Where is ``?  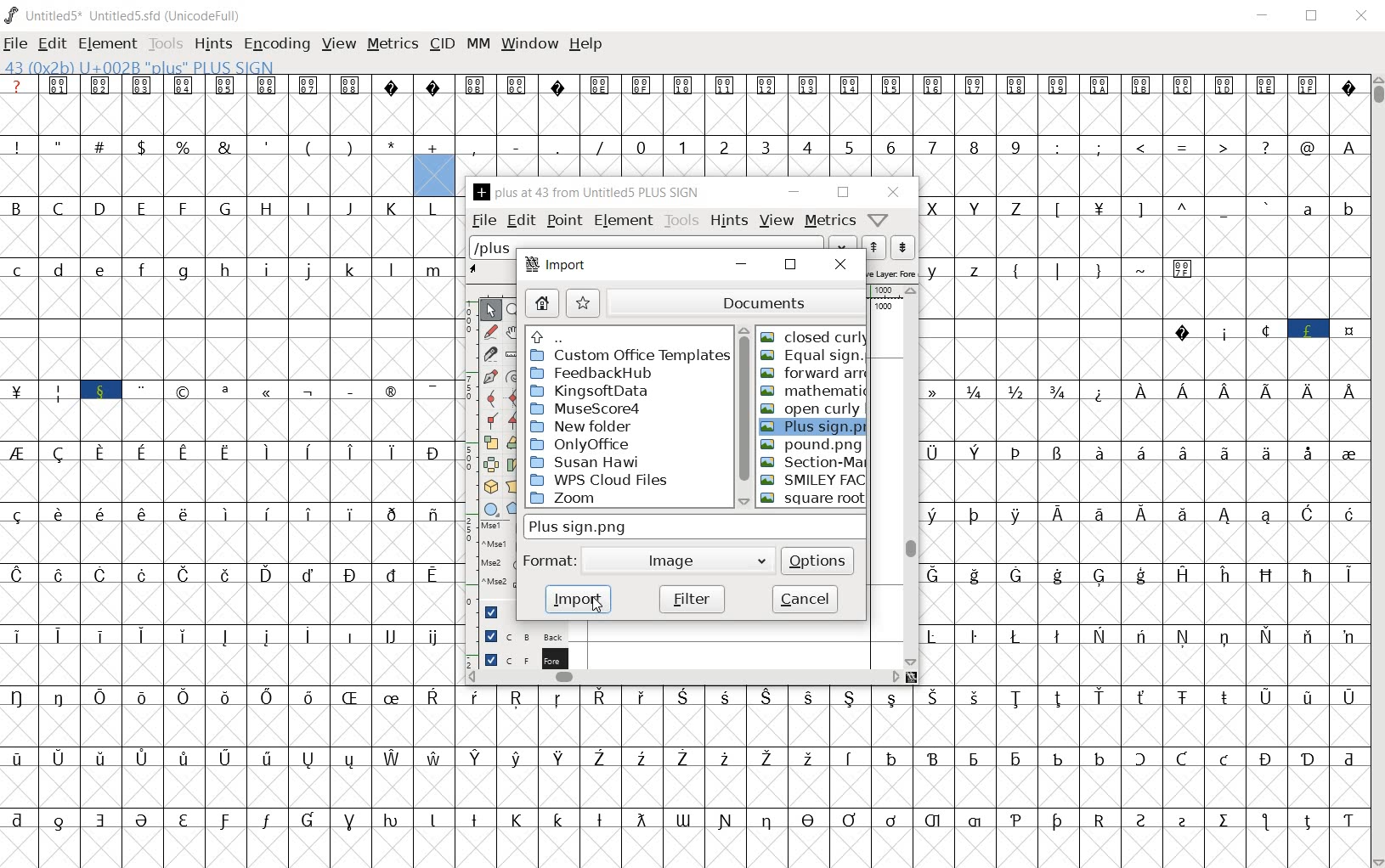  is located at coordinates (1144, 657).